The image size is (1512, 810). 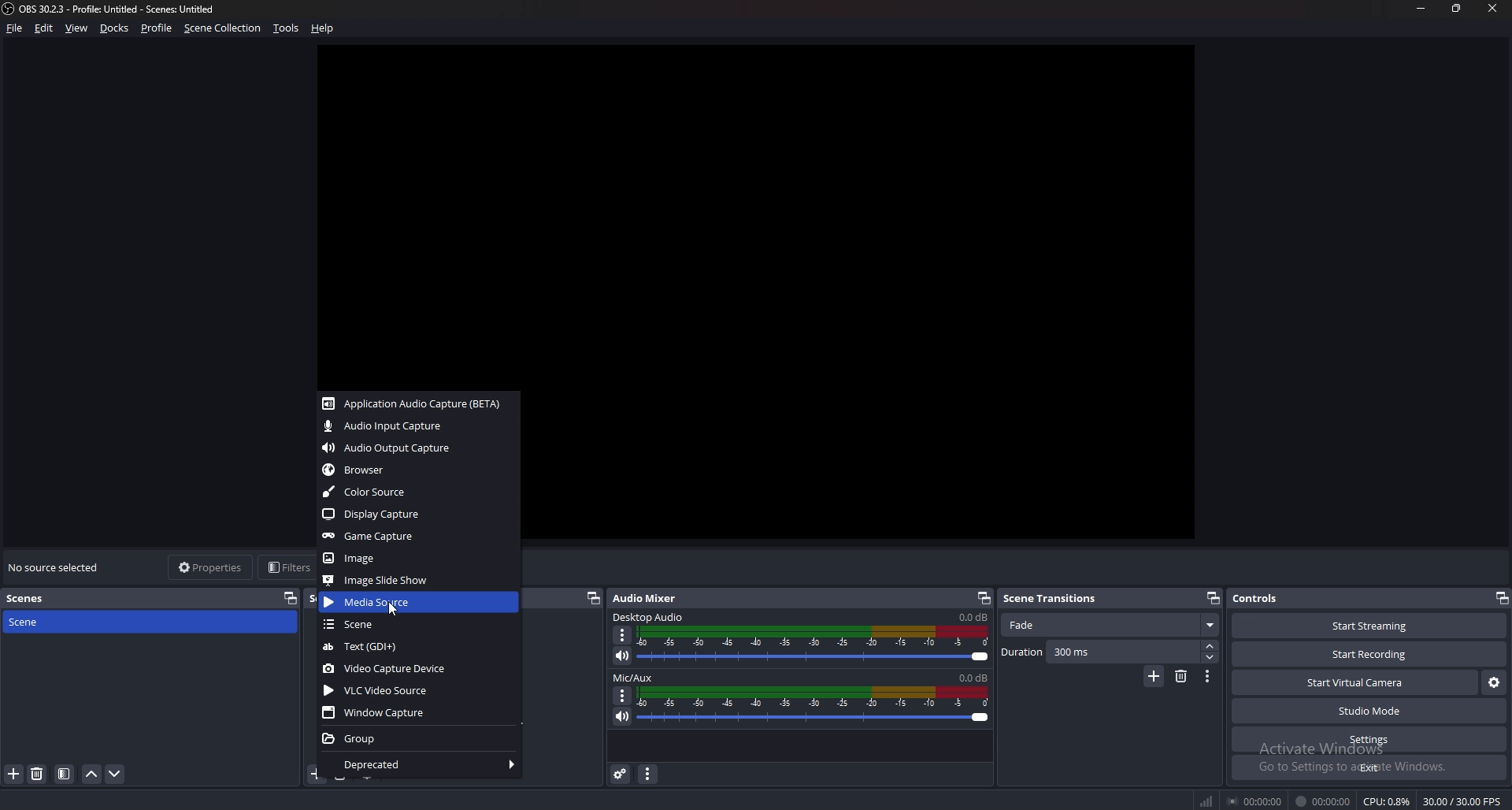 I want to click on Docks, so click(x=117, y=28).